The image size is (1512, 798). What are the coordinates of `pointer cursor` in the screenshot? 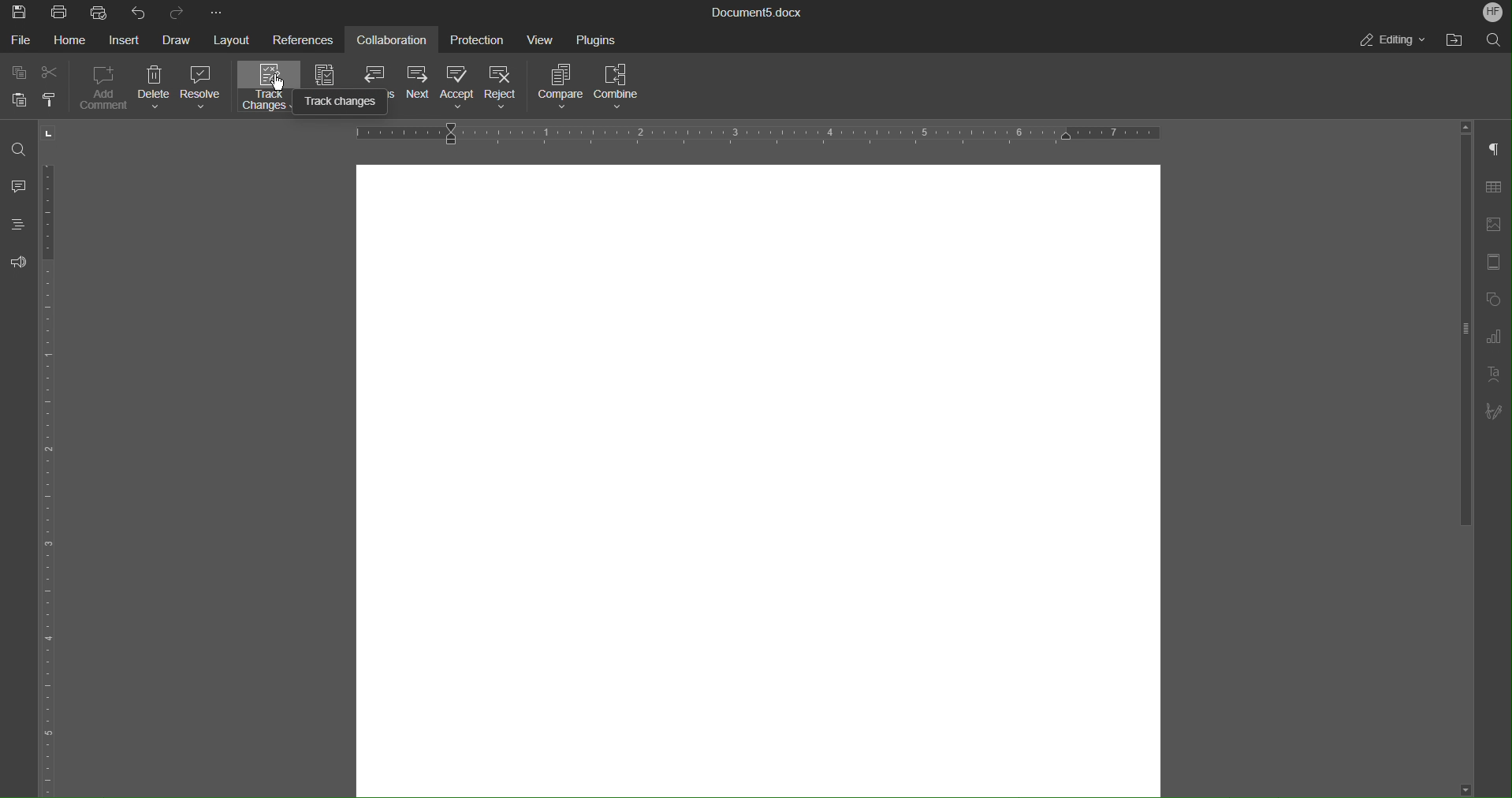 It's located at (282, 85).